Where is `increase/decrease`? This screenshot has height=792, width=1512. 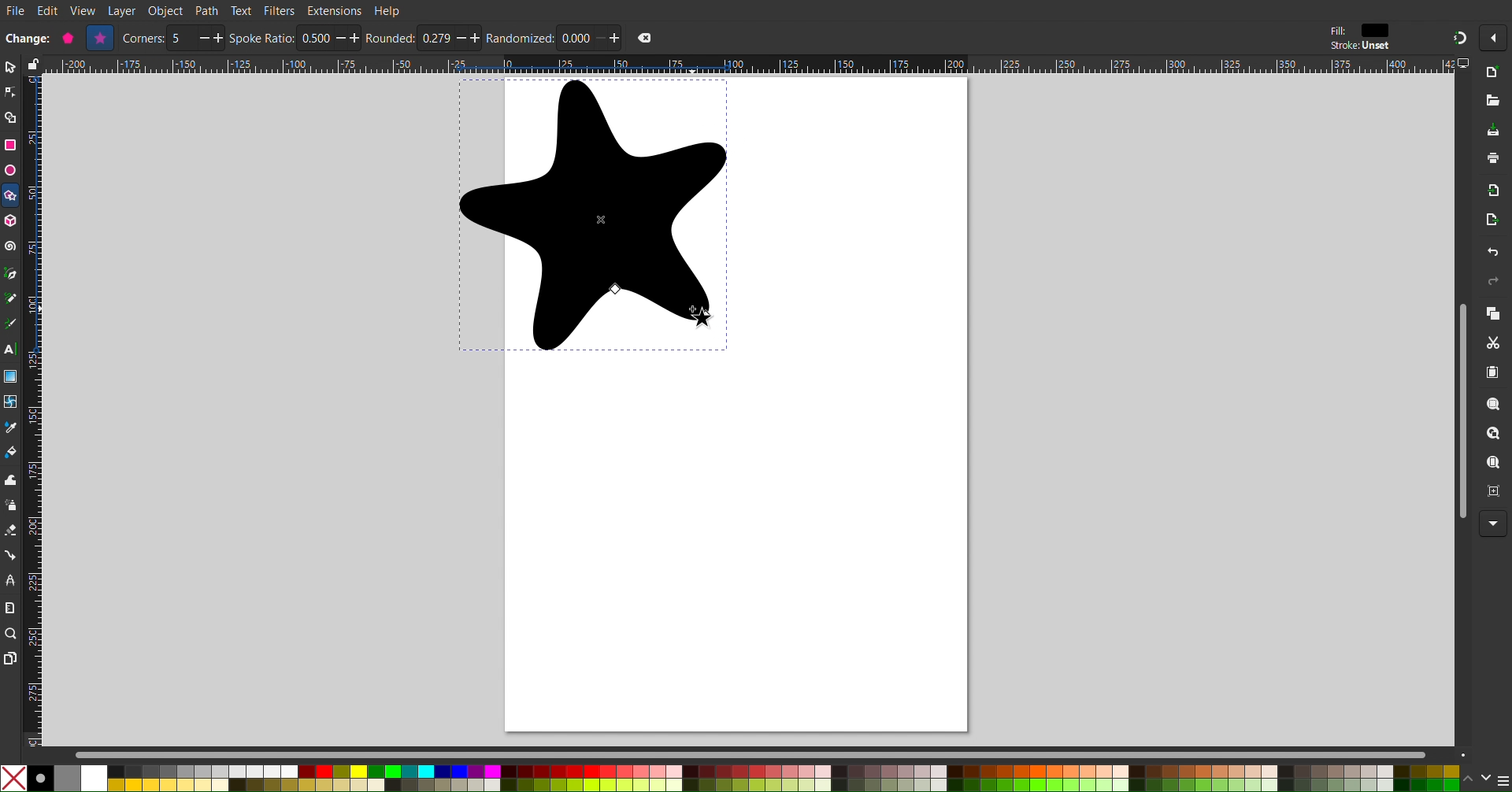
increase/decrease is located at coordinates (211, 38).